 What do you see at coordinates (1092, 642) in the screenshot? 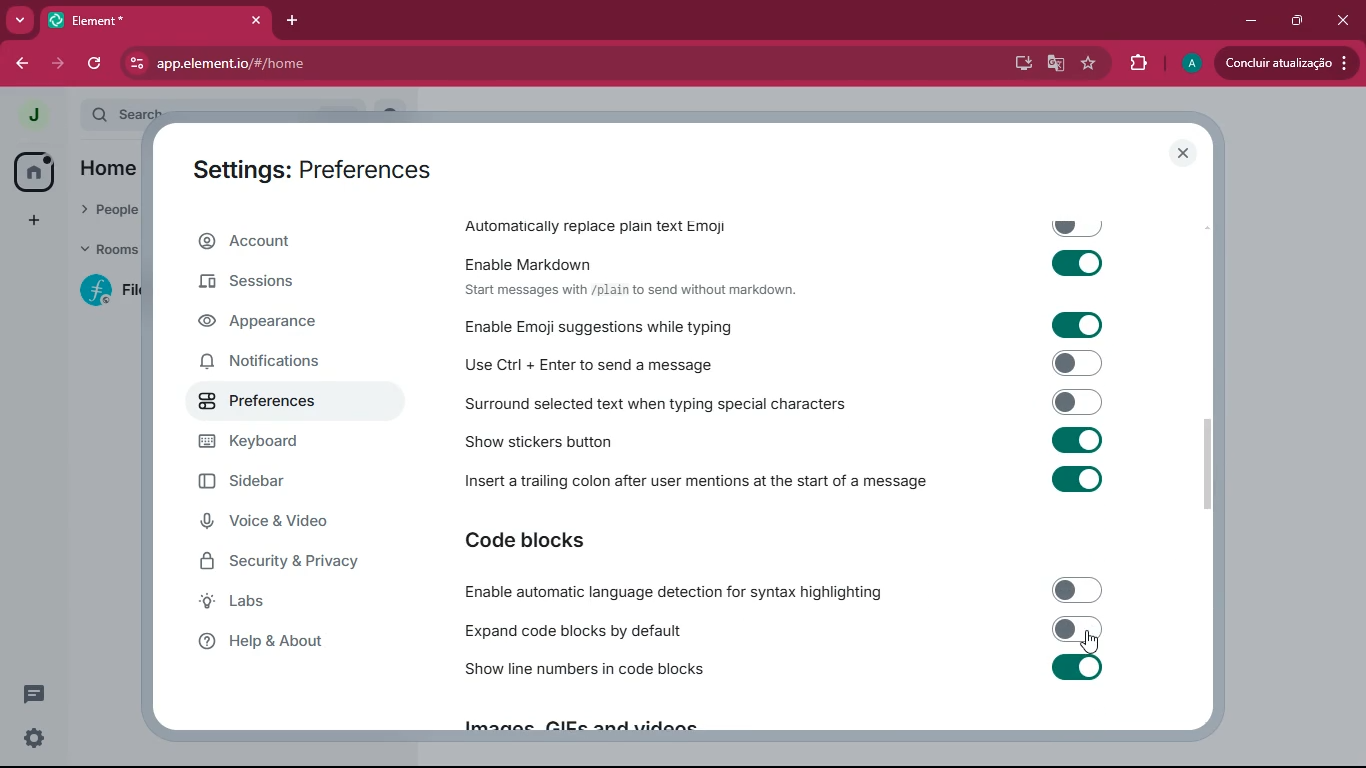
I see `cursor` at bounding box center [1092, 642].